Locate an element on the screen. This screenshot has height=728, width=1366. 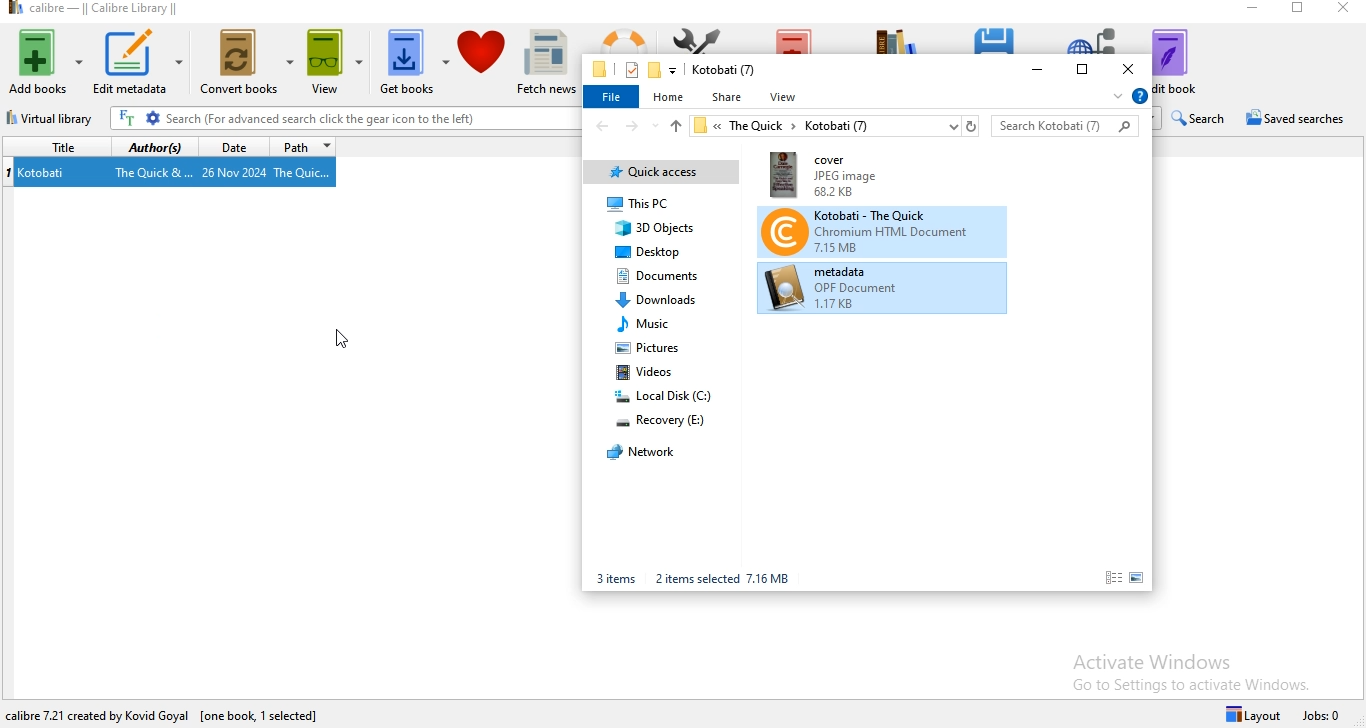
file name is located at coordinates (724, 70).